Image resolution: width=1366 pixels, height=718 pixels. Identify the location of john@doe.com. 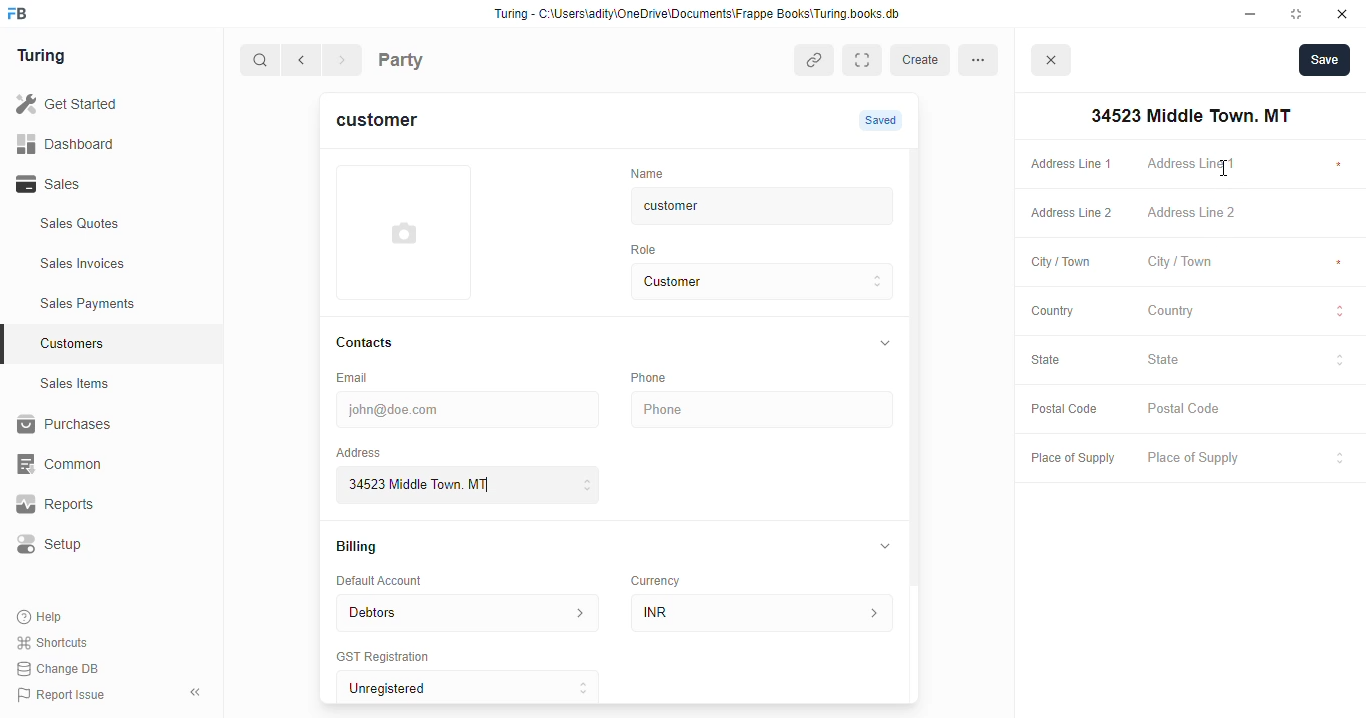
(471, 407).